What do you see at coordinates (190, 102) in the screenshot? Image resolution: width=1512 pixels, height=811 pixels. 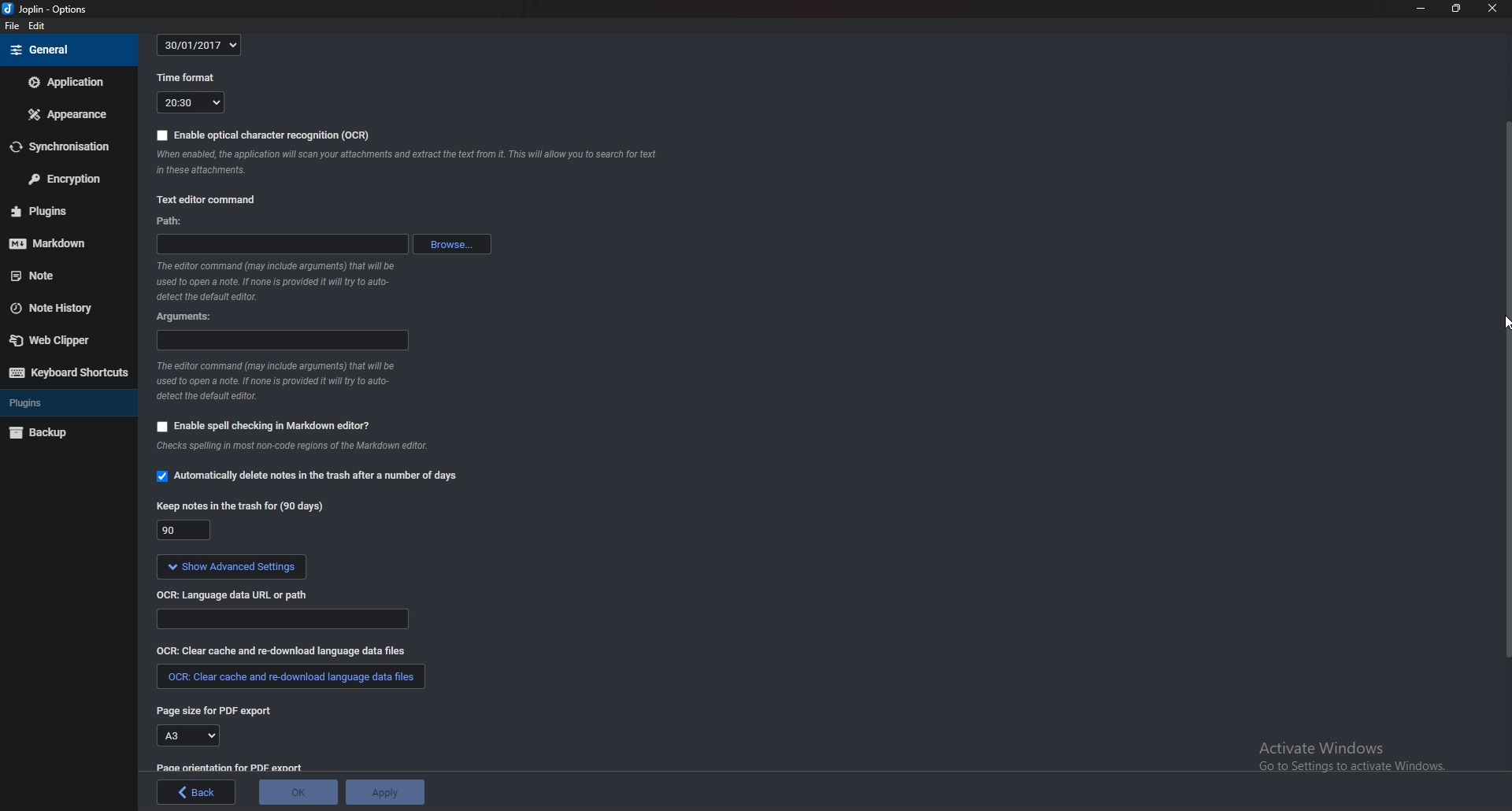 I see `20:30` at bounding box center [190, 102].